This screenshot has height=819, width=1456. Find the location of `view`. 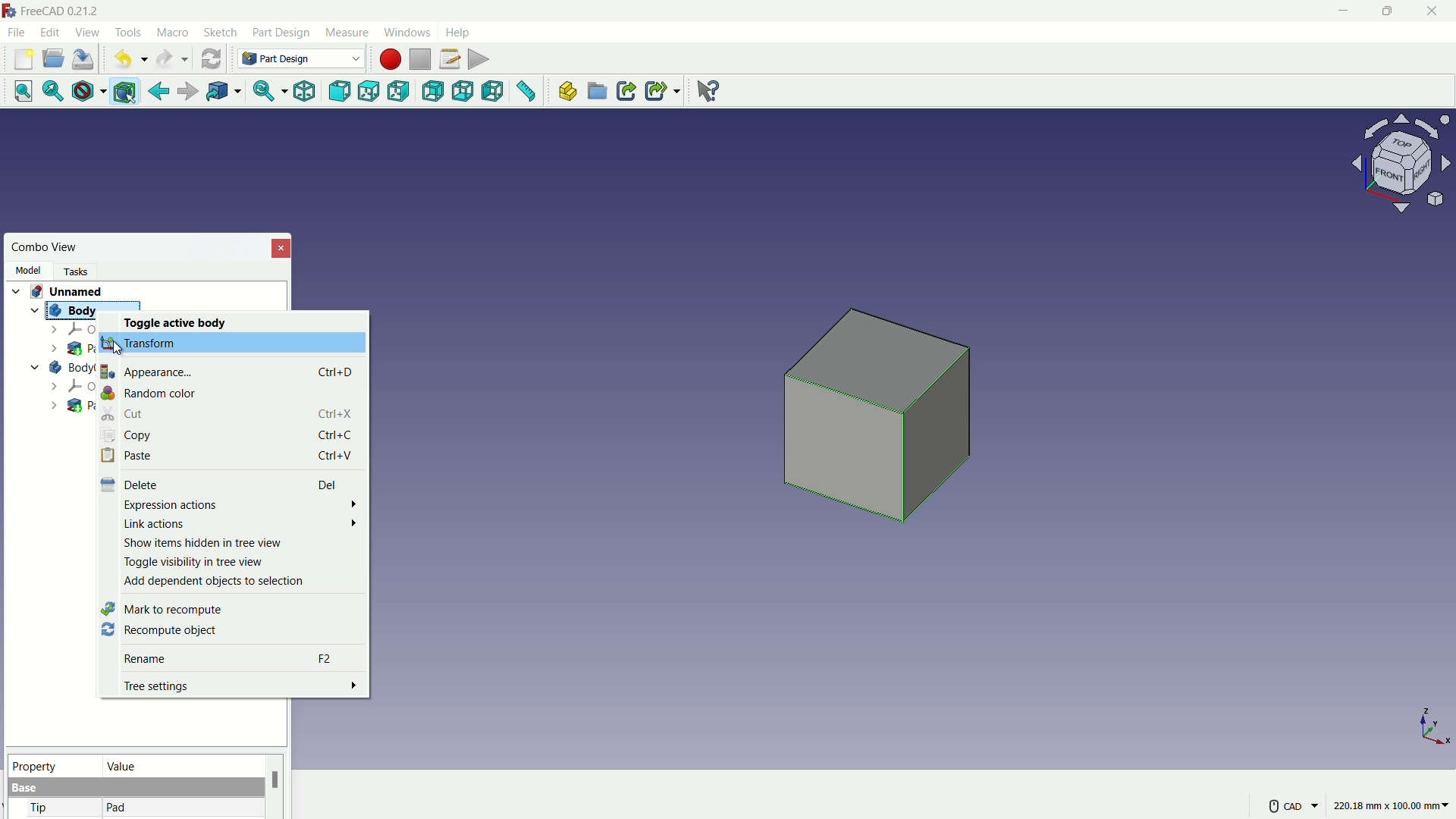

view is located at coordinates (86, 32).